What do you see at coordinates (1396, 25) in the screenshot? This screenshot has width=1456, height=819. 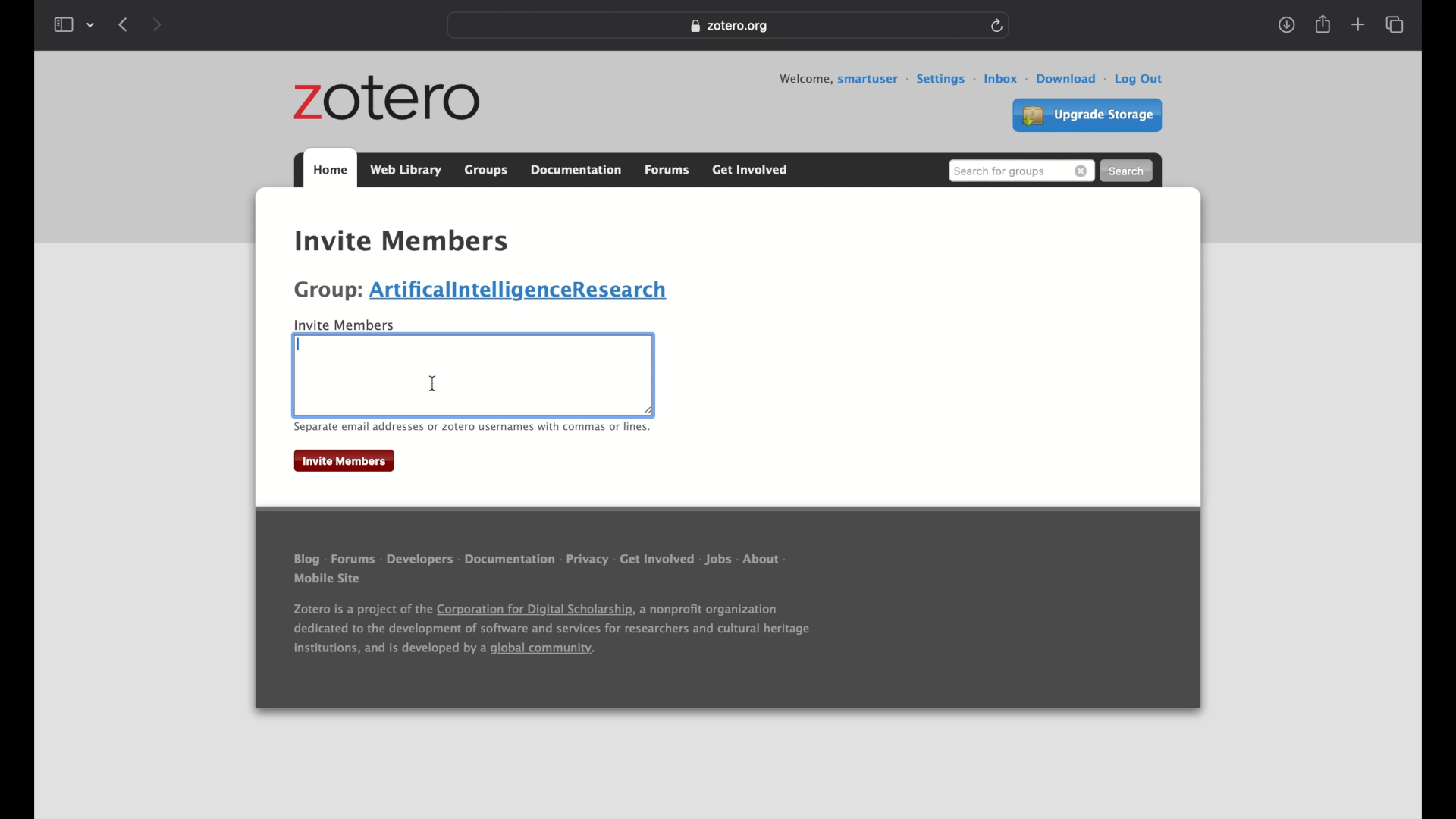 I see `show tab overview` at bounding box center [1396, 25].